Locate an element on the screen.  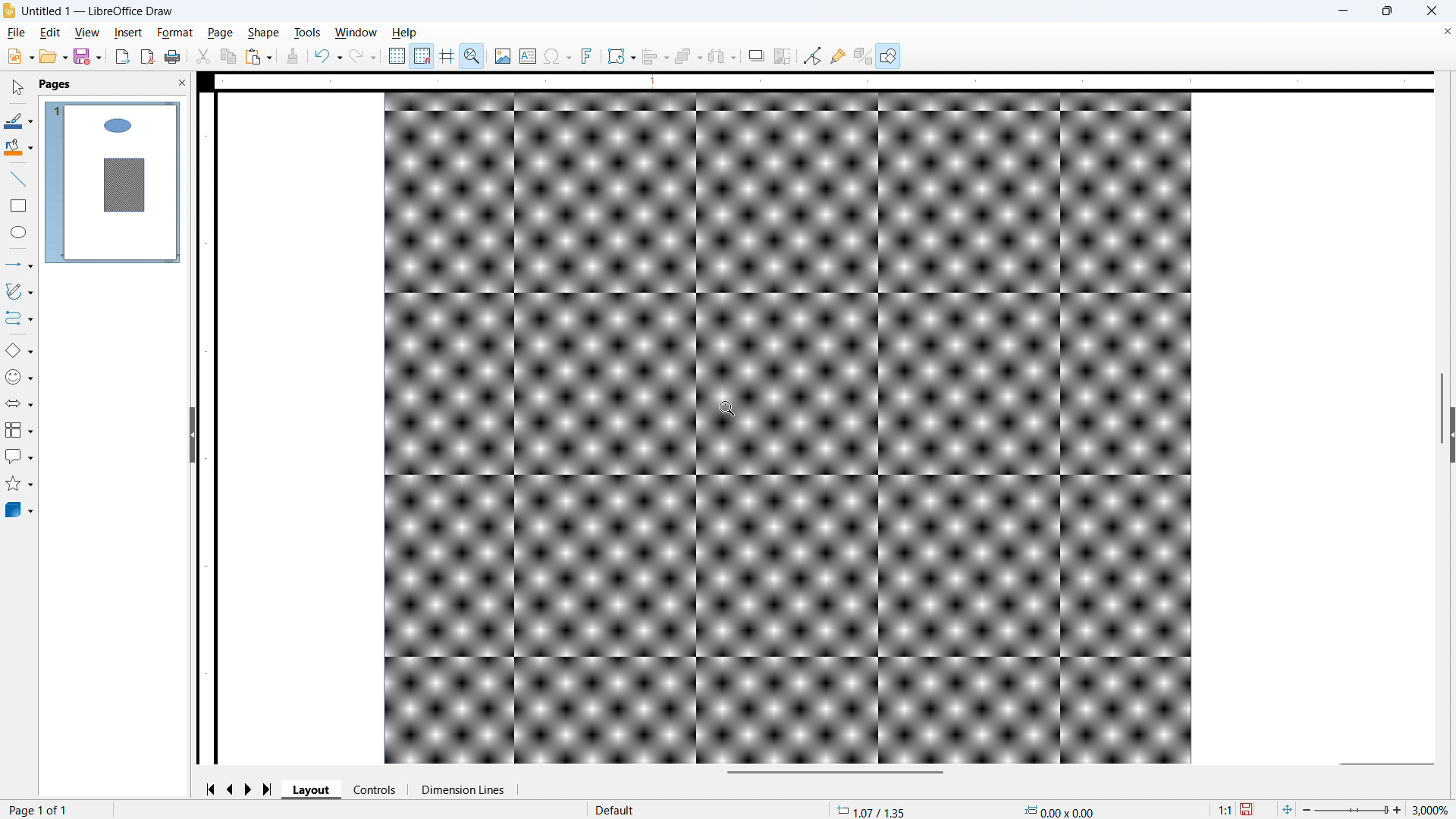
Redo  is located at coordinates (362, 57).